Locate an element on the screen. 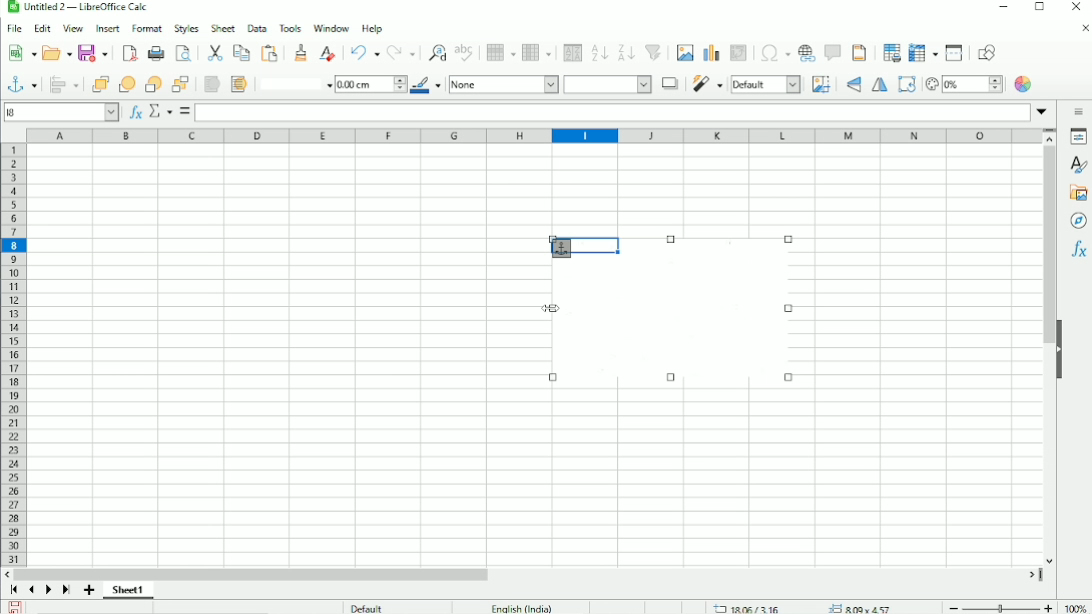 The height and width of the screenshot is (614, 1092). Define print area is located at coordinates (888, 53).